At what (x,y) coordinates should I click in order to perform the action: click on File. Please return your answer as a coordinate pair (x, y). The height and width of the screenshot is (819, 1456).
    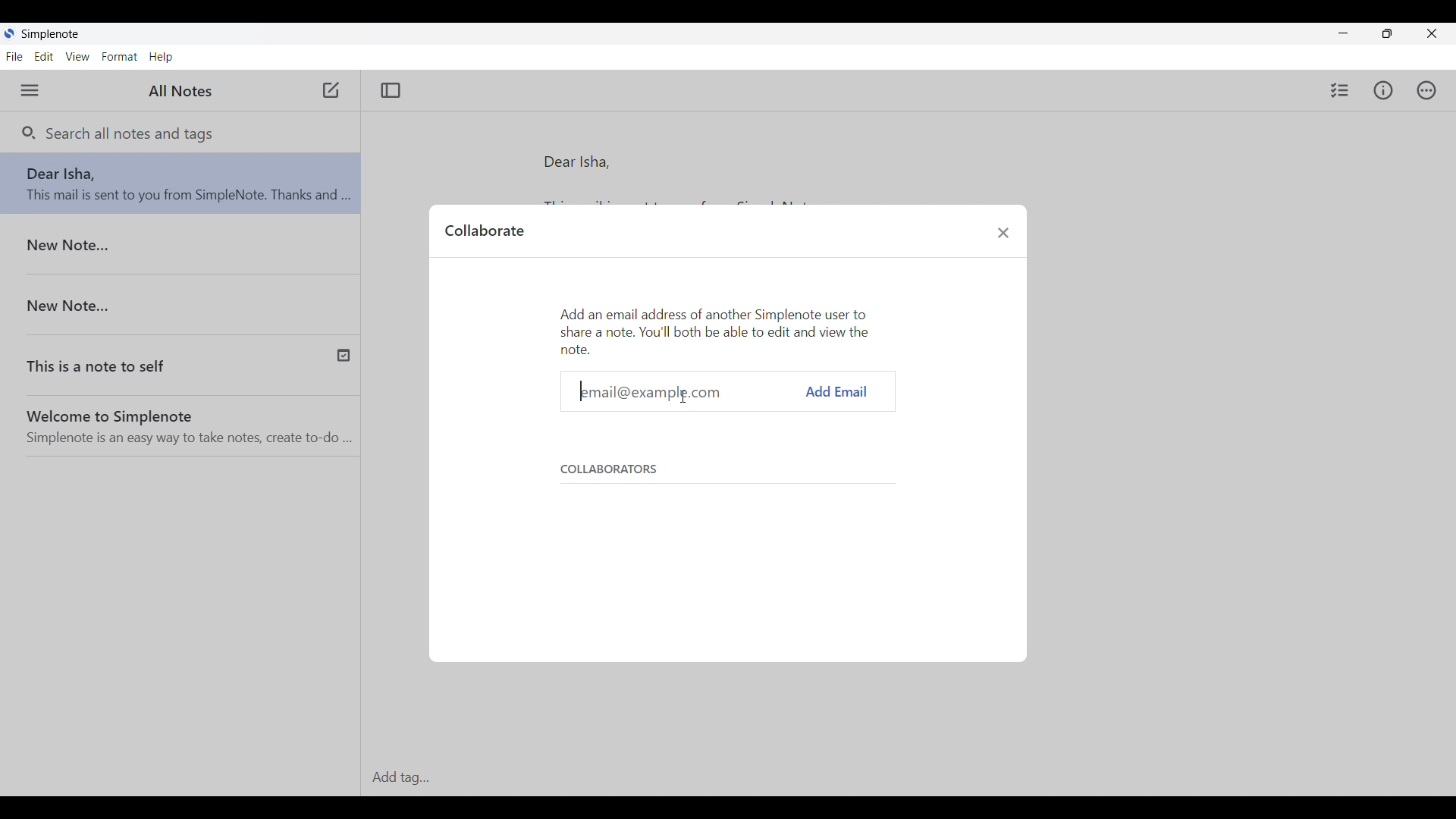
    Looking at the image, I should click on (14, 56).